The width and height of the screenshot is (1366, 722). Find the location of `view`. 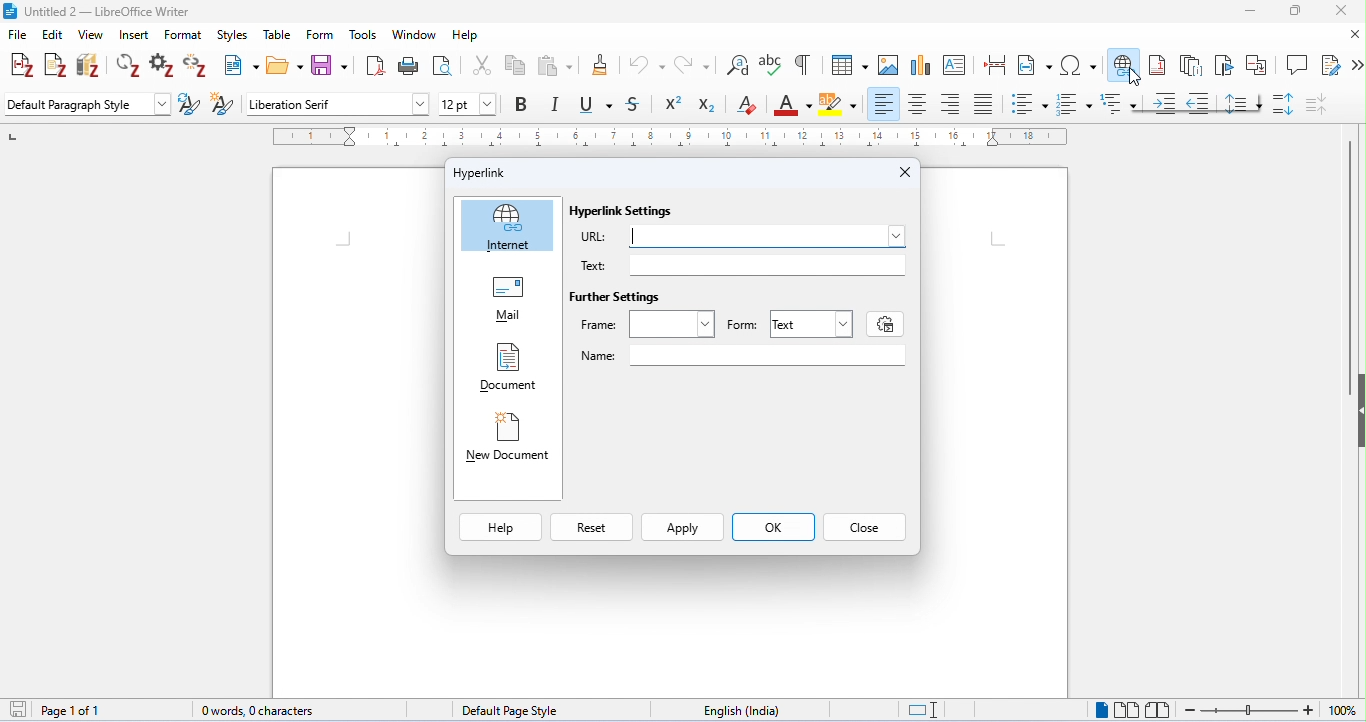

view is located at coordinates (92, 36).